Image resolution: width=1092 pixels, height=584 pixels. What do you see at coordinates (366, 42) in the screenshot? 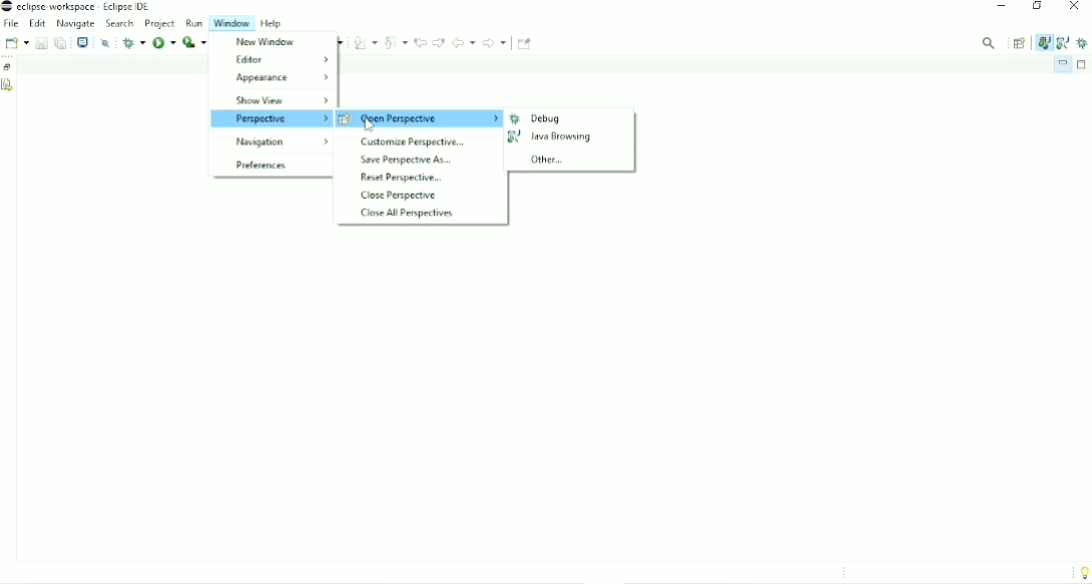
I see `Next Annotation` at bounding box center [366, 42].